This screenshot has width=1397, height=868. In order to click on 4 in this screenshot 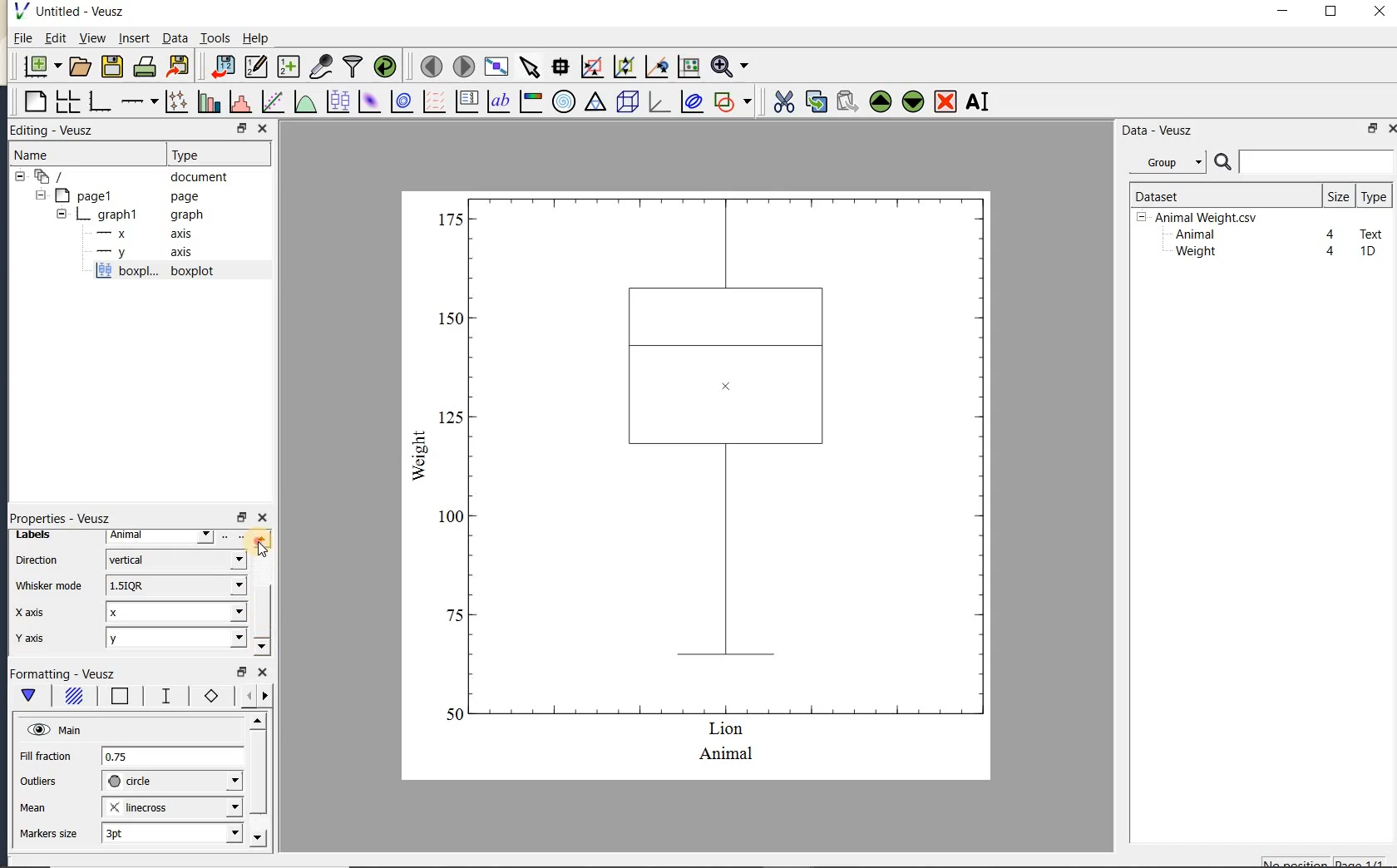, I will do `click(1331, 252)`.